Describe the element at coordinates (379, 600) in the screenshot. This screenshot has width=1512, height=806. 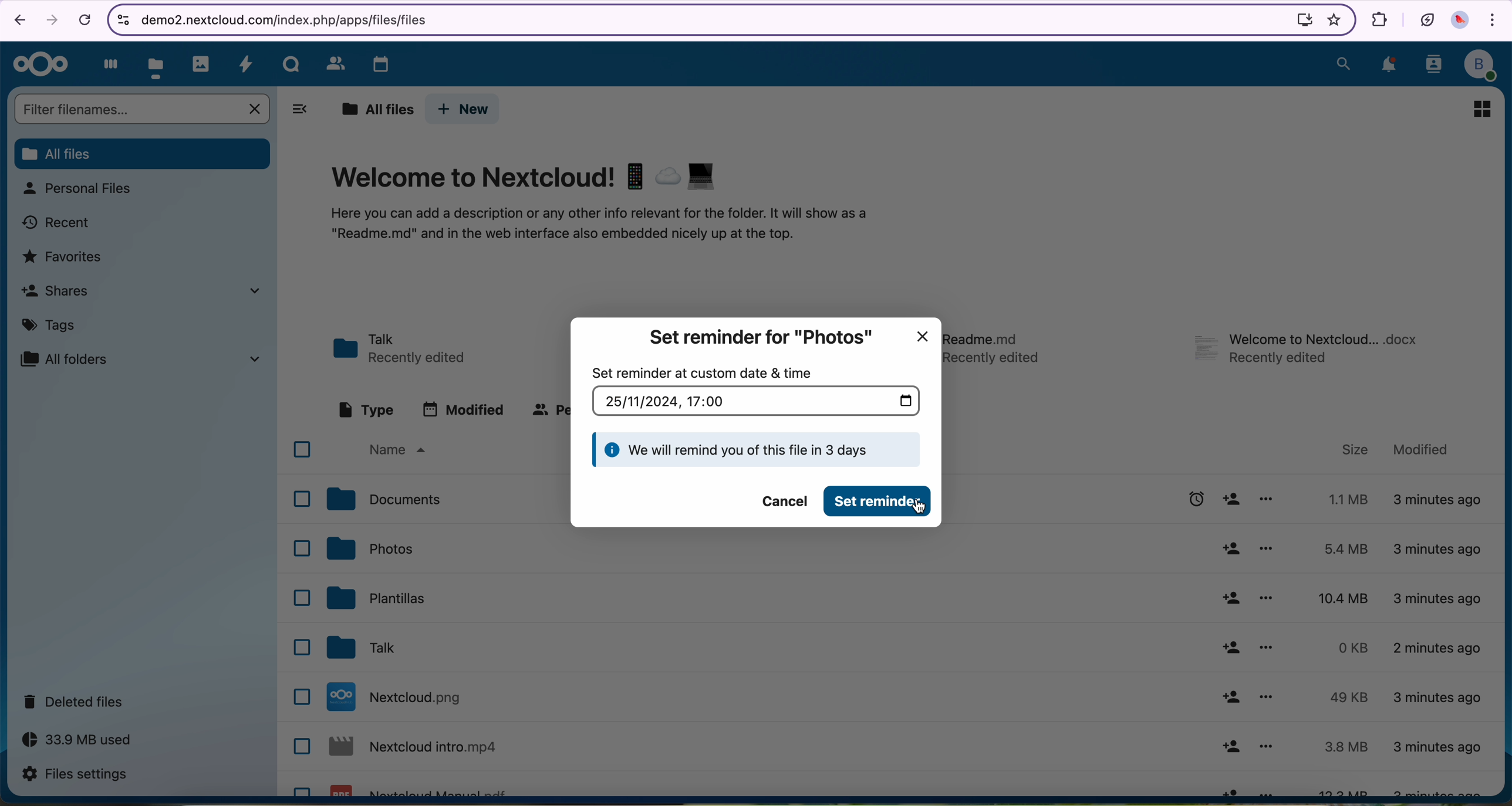
I see `templates` at that location.